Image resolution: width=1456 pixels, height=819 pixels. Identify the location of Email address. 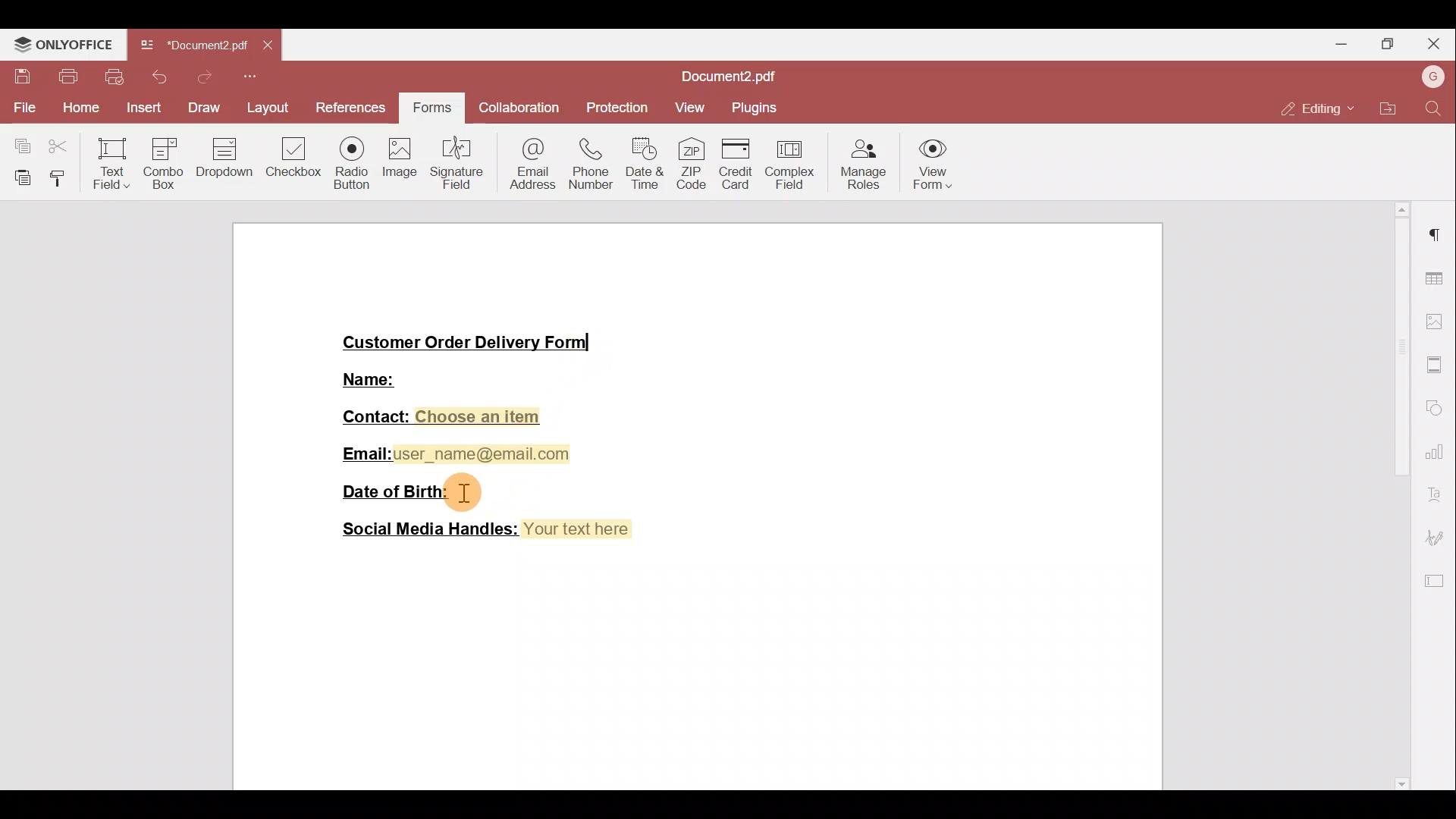
(531, 162).